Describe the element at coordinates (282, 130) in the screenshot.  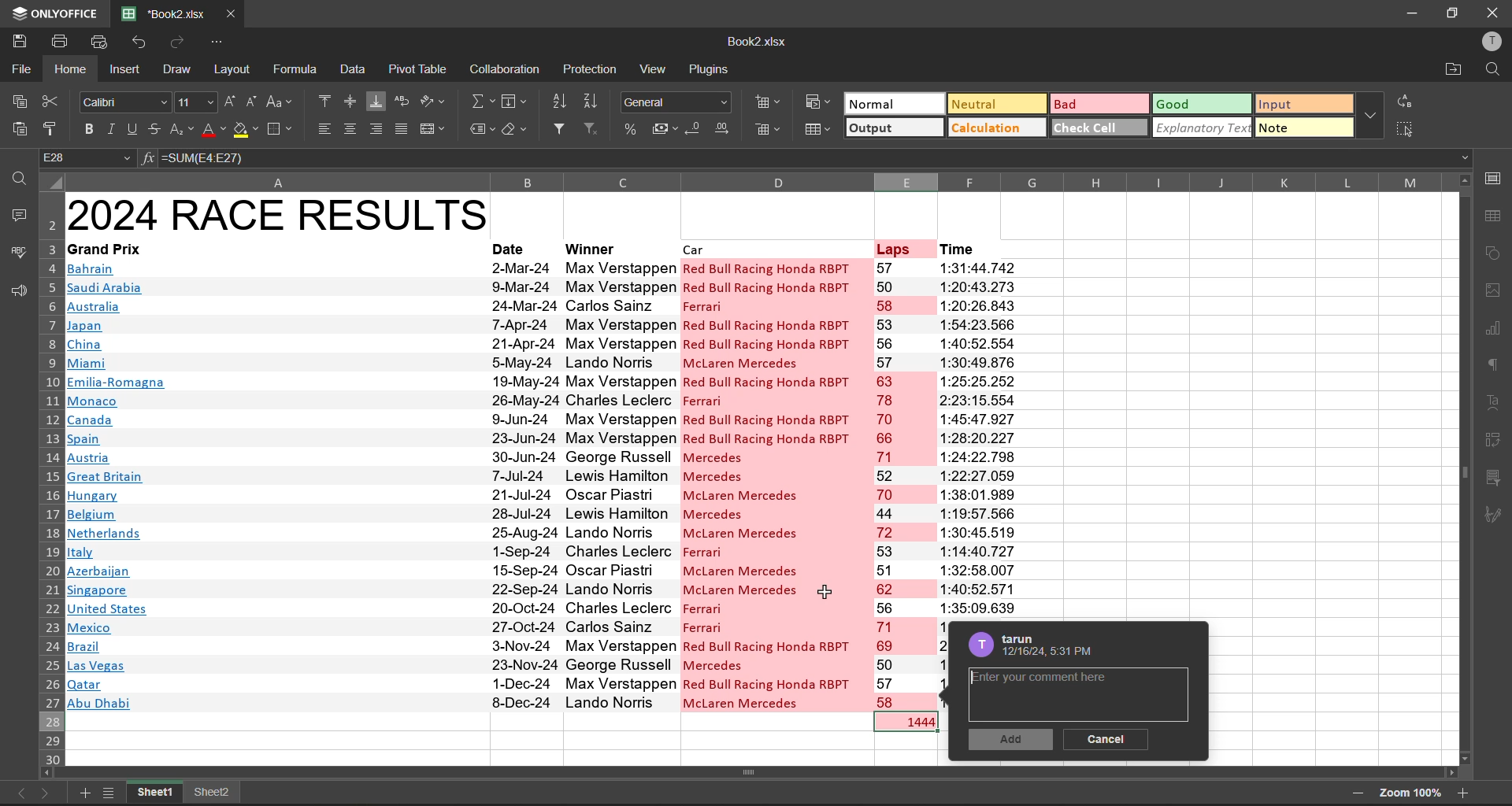
I see `borders` at that location.